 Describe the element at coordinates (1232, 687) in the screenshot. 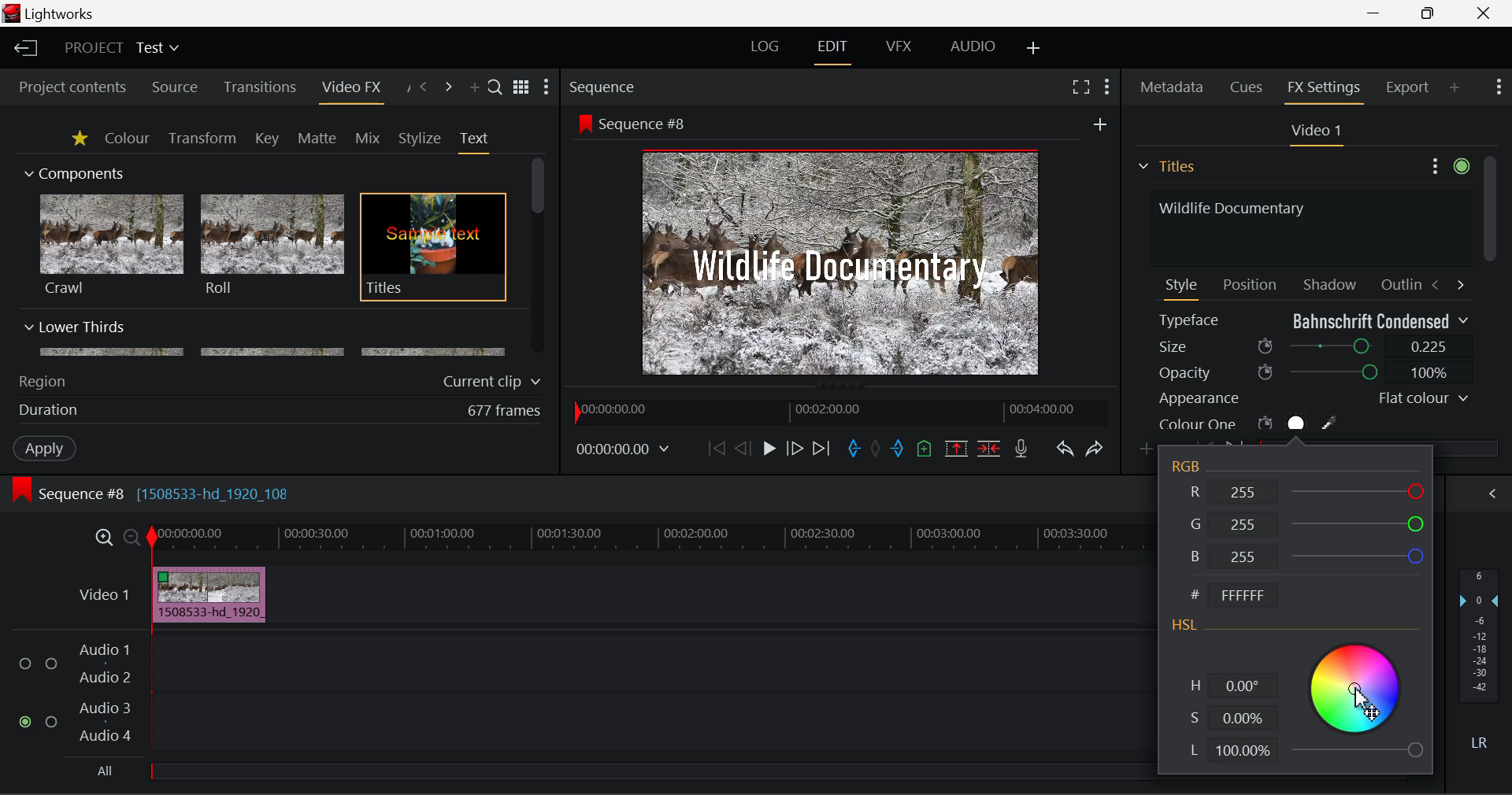

I see `H` at that location.